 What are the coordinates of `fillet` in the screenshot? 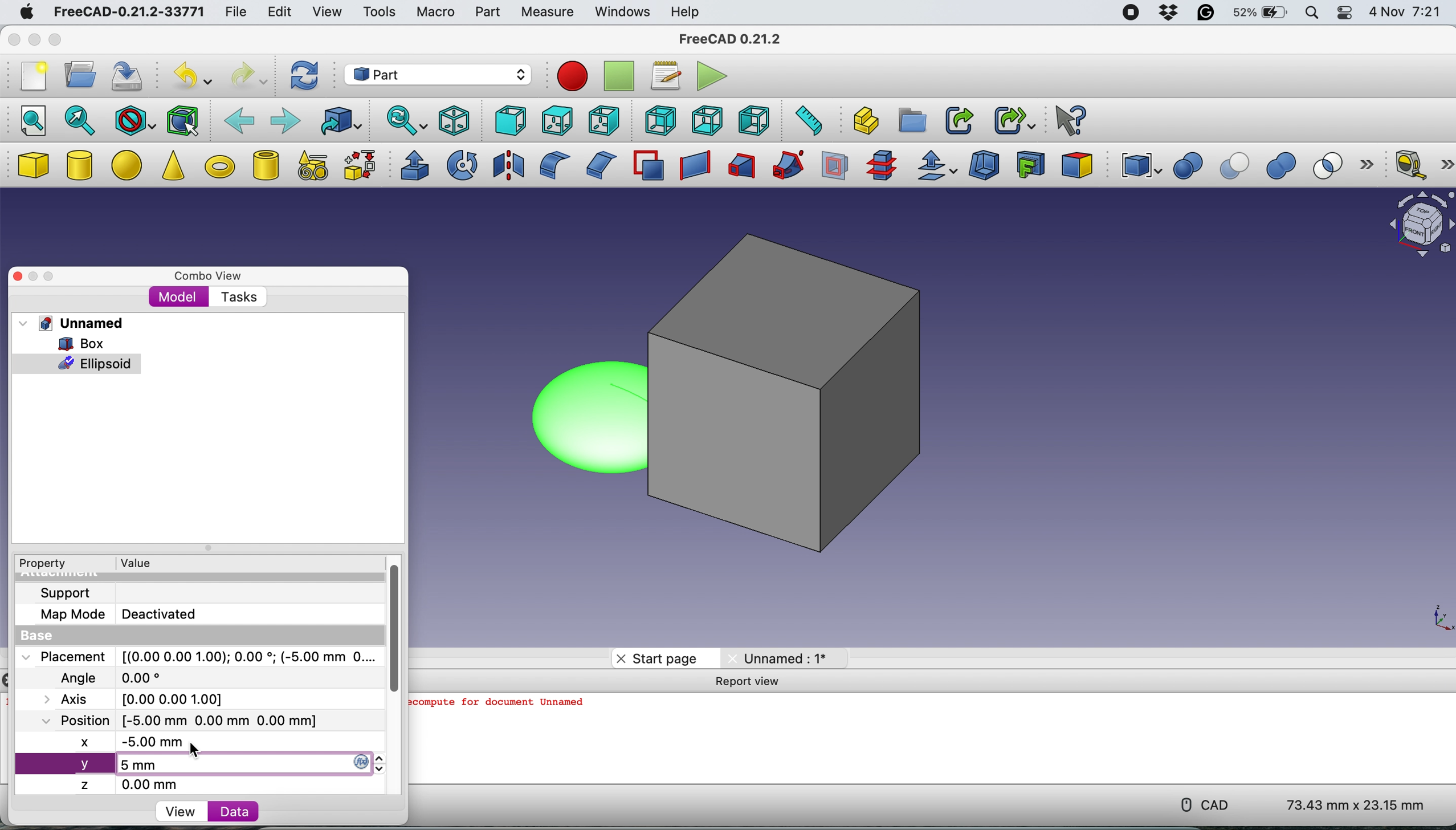 It's located at (550, 165).